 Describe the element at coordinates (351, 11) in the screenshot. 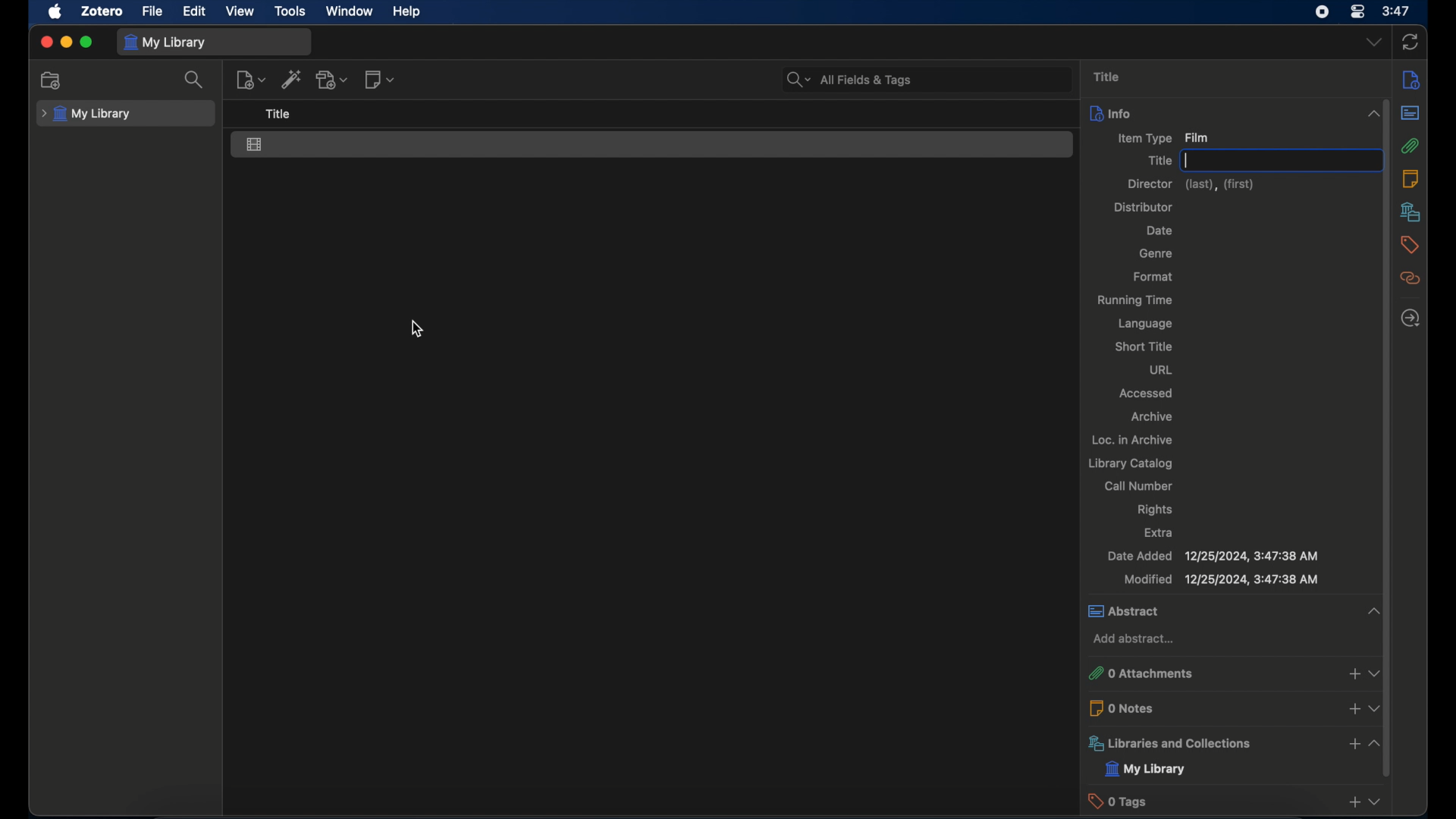

I see `window` at that location.